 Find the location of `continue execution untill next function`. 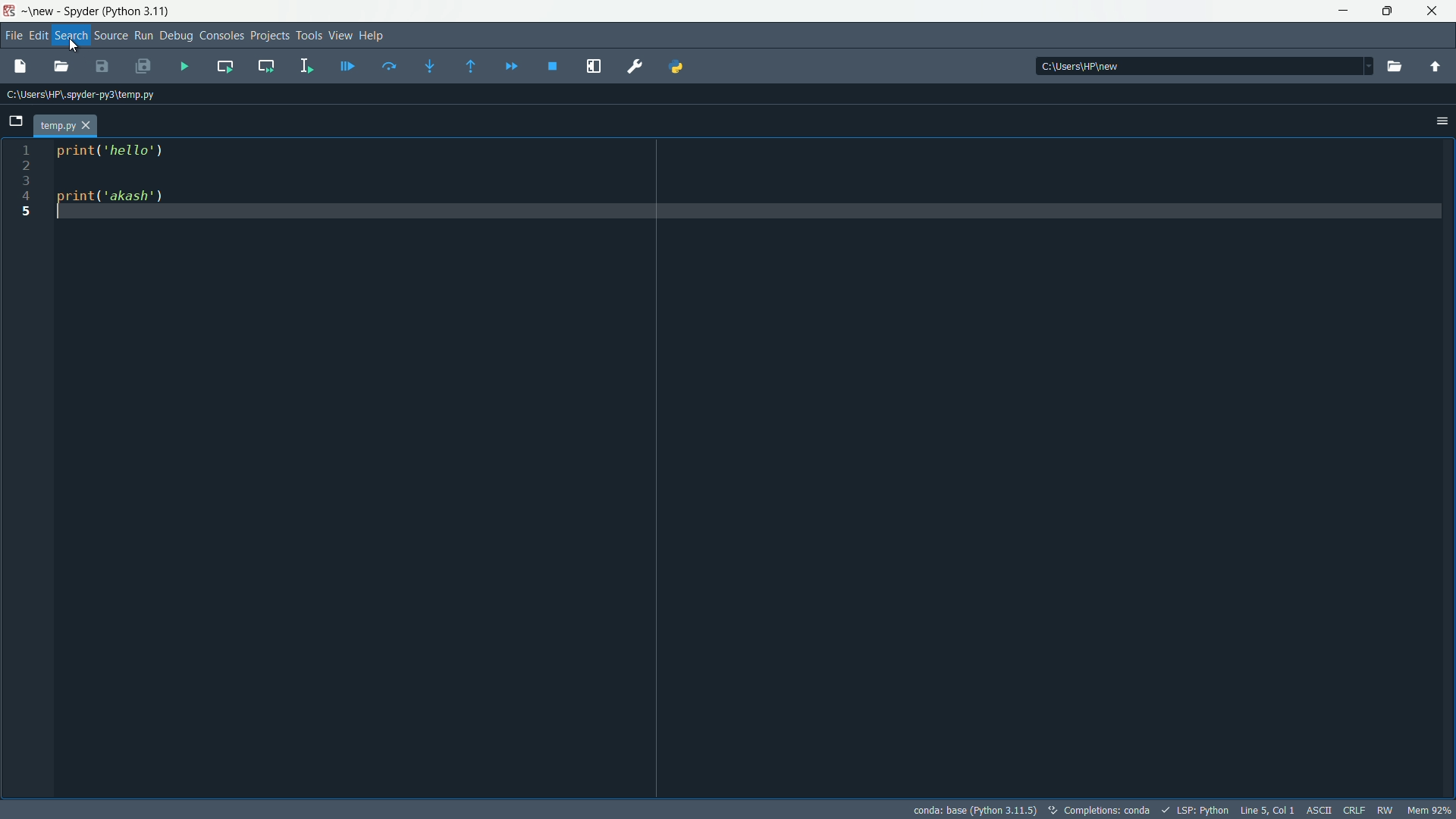

continue execution untill next function is located at coordinates (508, 65).